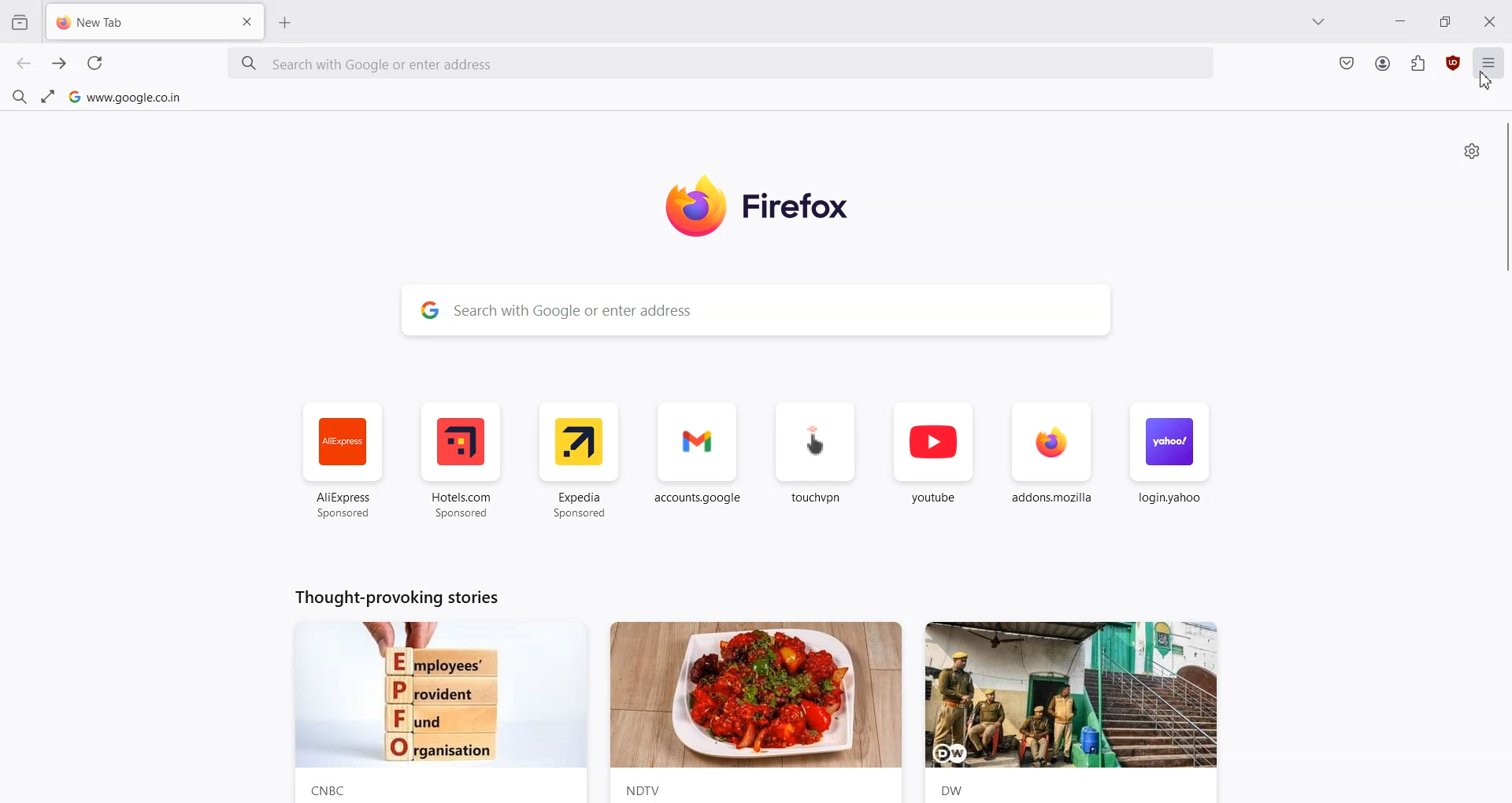 The image size is (1512, 803). I want to click on Google home page, so click(125, 96).